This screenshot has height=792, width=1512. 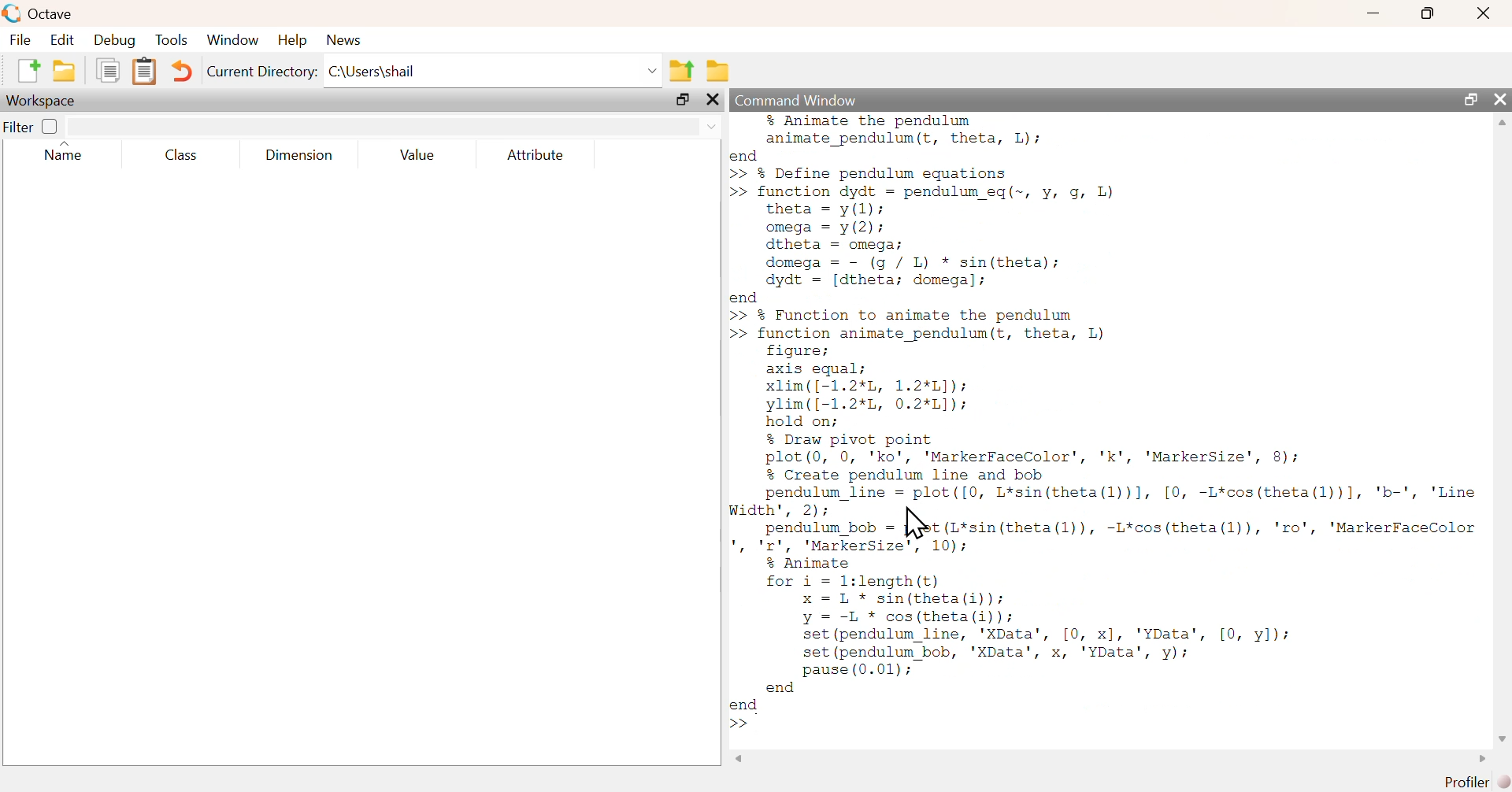 I want to click on Profiler, so click(x=1478, y=783).